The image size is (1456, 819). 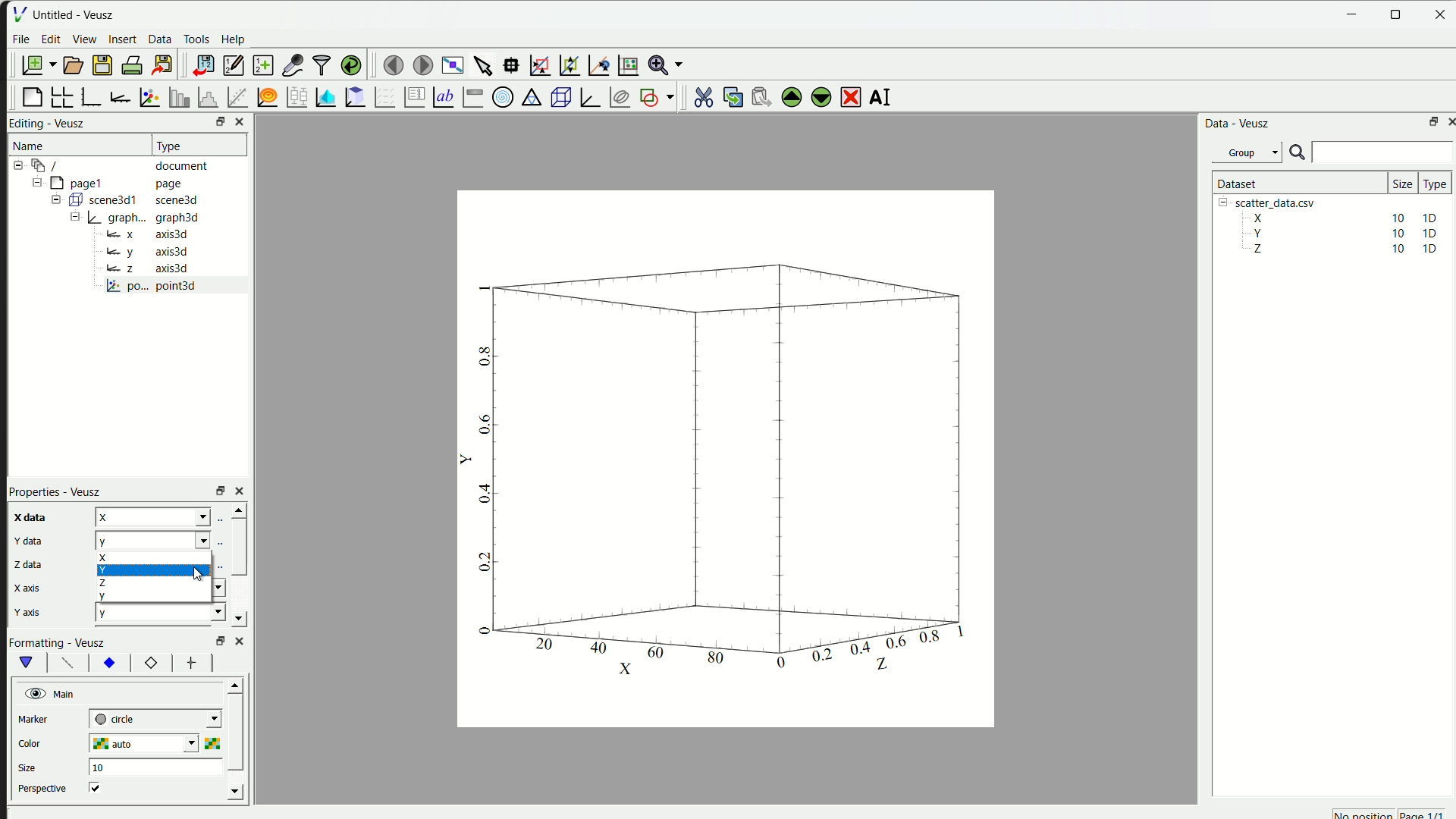 I want to click on plot box plots, so click(x=293, y=98).